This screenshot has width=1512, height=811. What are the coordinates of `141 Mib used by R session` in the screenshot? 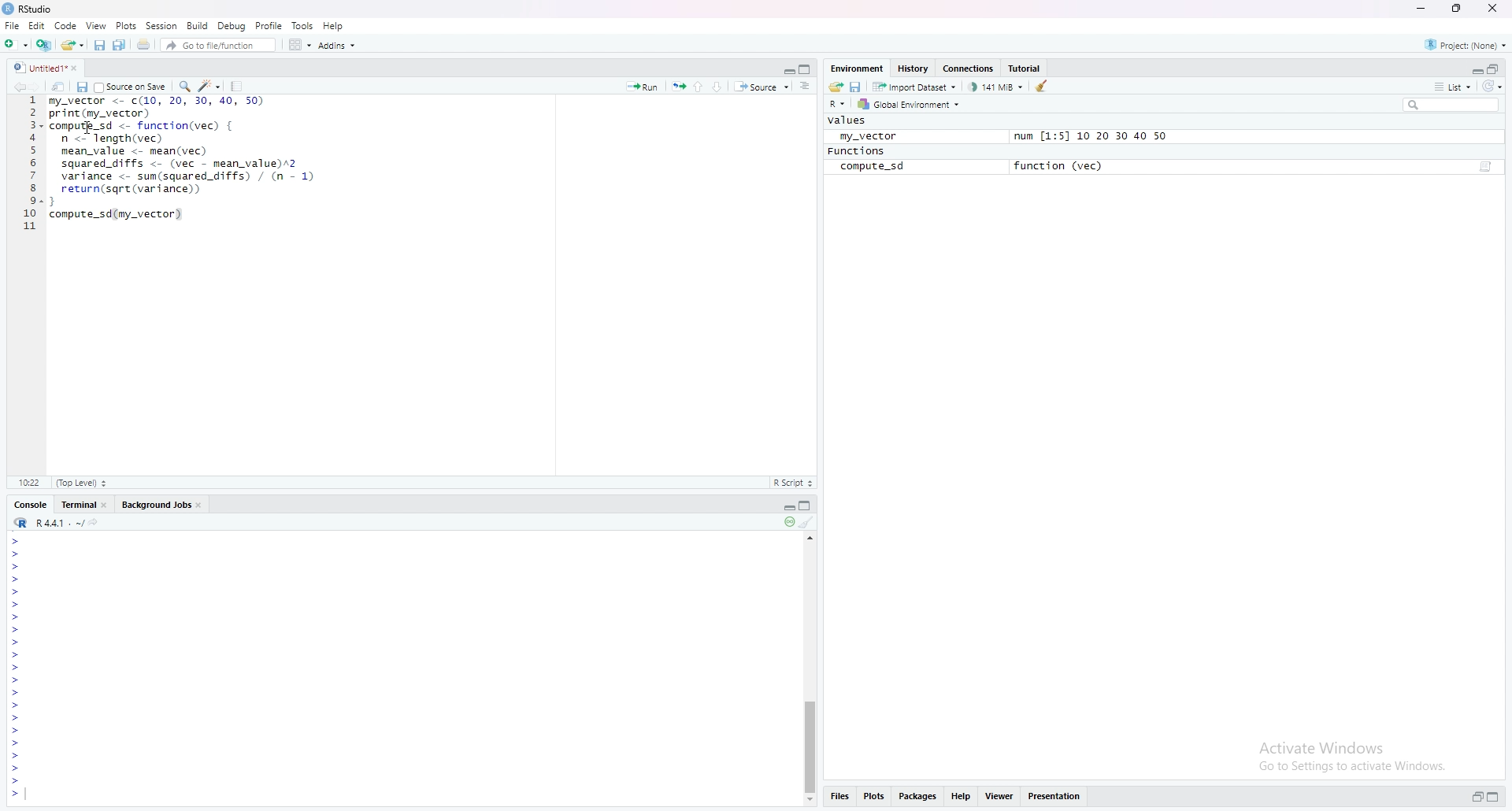 It's located at (997, 86).